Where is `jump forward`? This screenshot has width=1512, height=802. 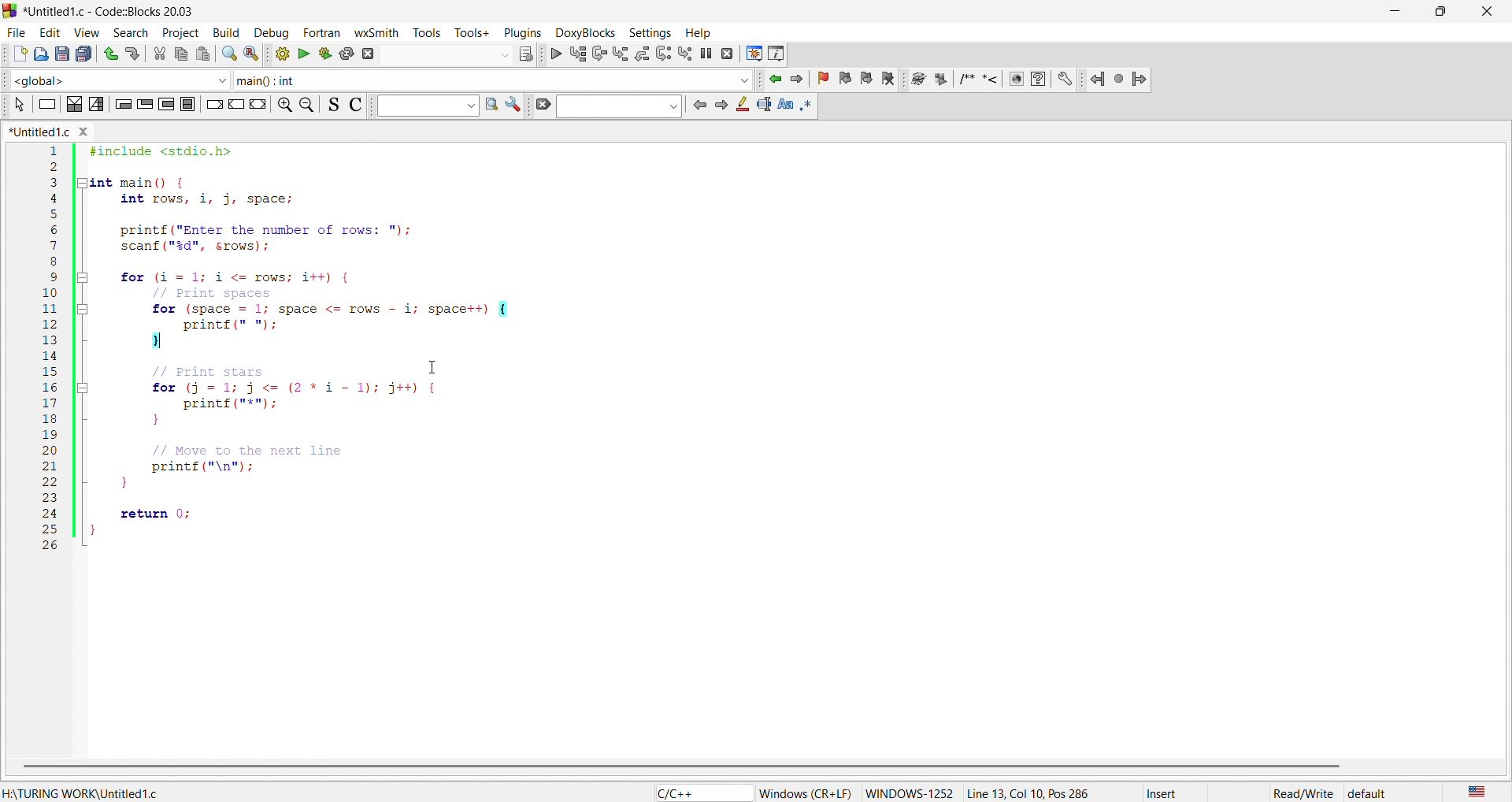 jump forward is located at coordinates (798, 79).